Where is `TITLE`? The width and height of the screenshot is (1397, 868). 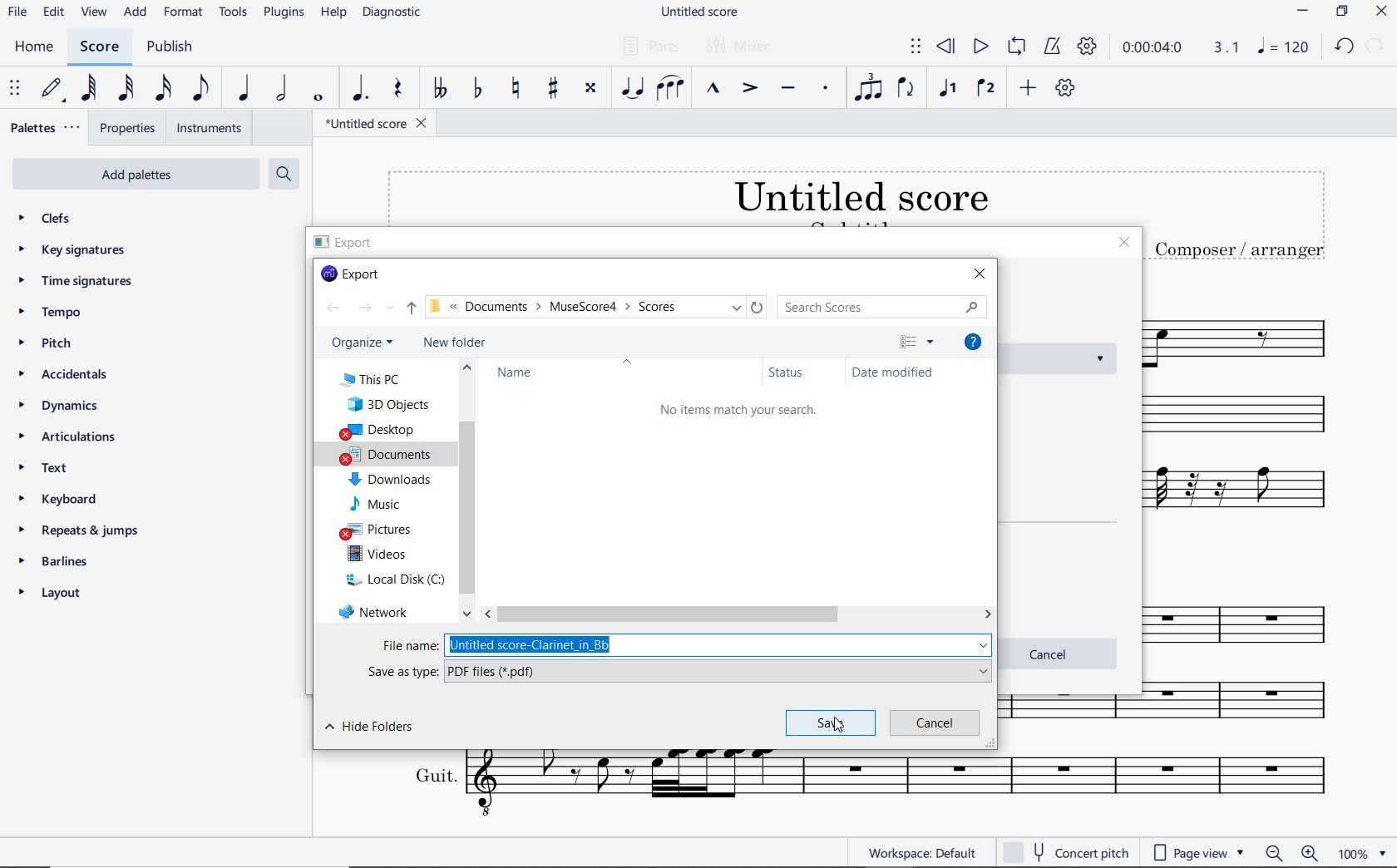
TITLE is located at coordinates (758, 196).